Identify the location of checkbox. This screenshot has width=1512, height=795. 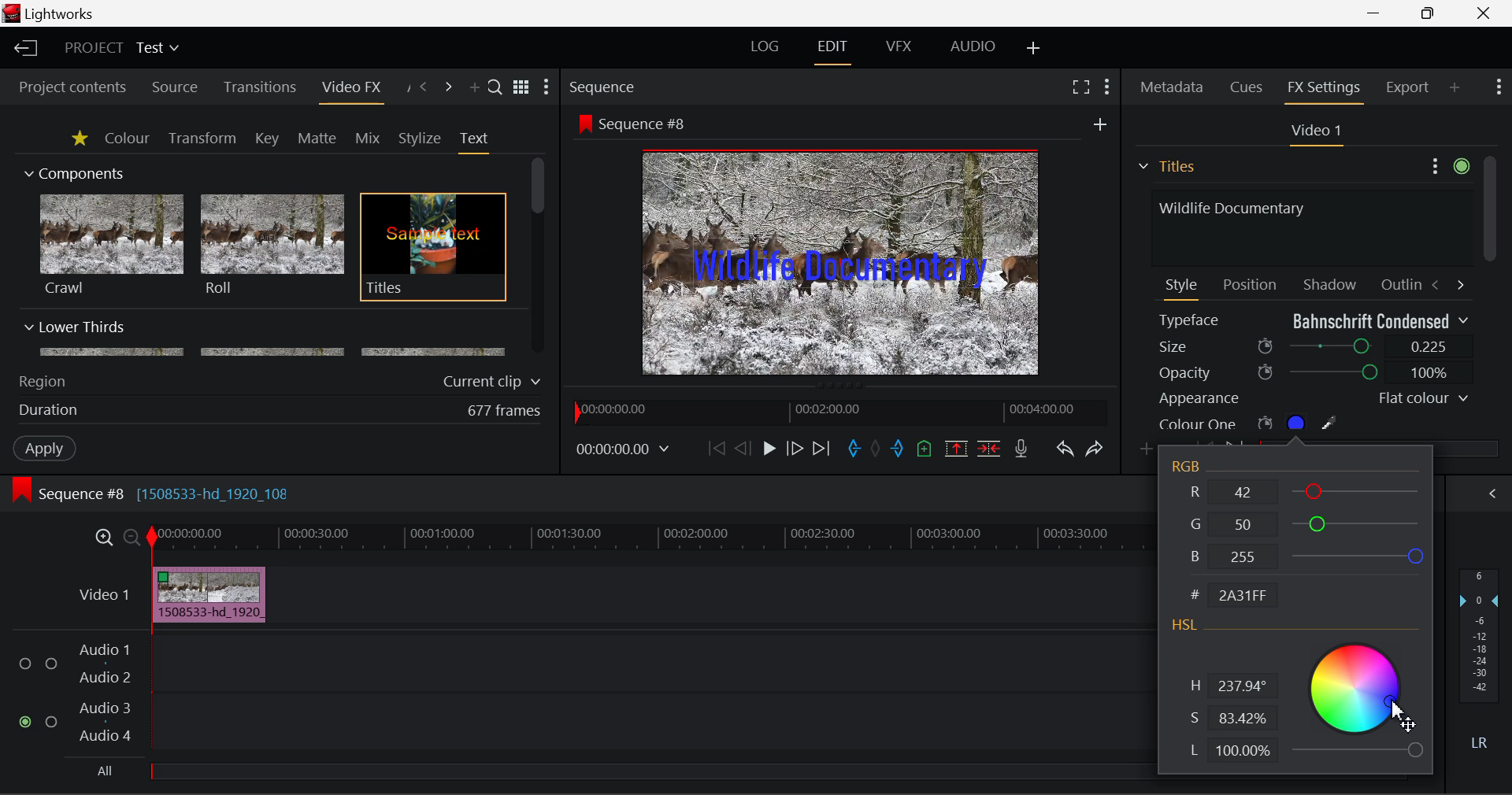
(52, 665).